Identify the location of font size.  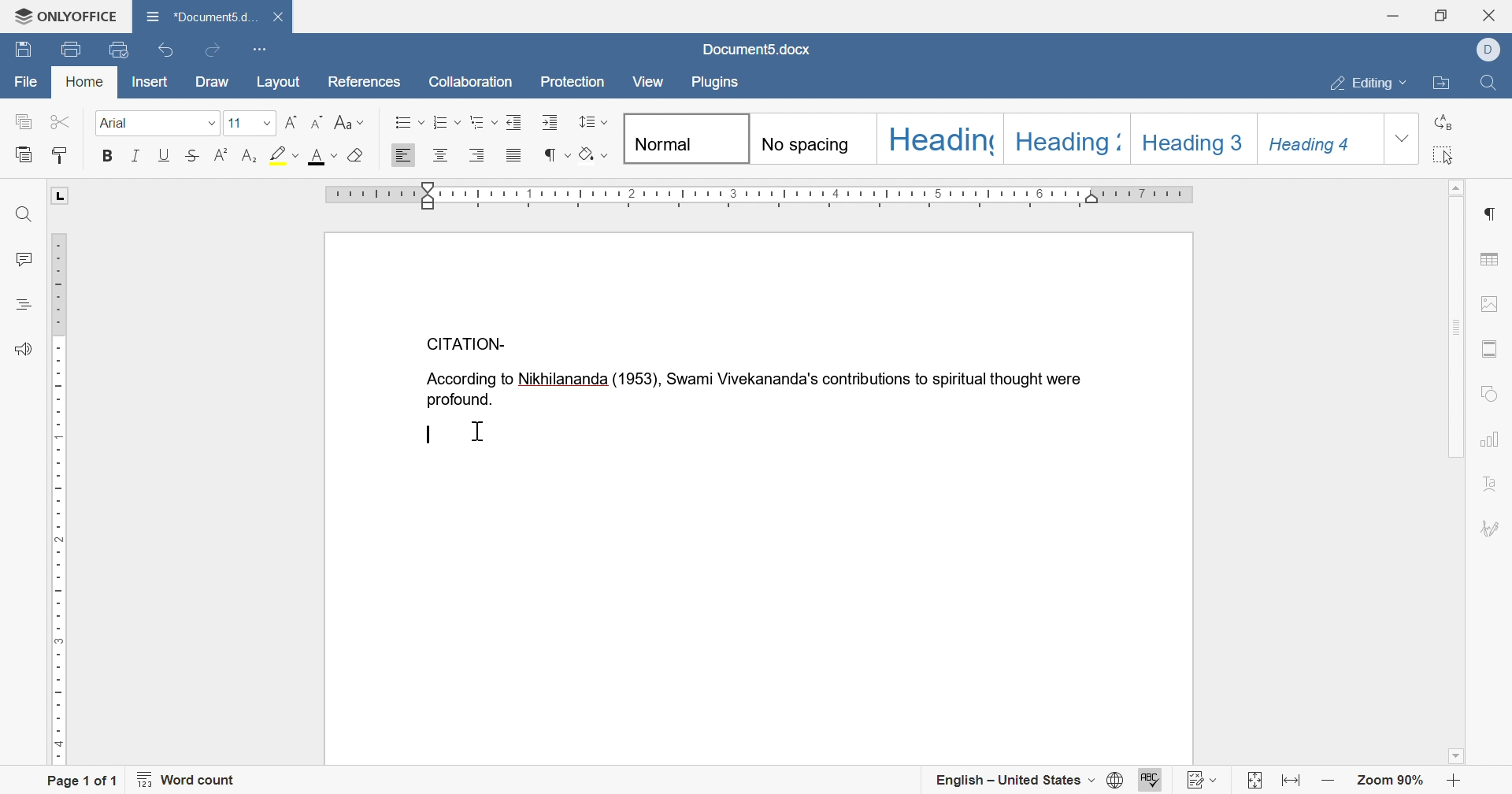
(250, 124).